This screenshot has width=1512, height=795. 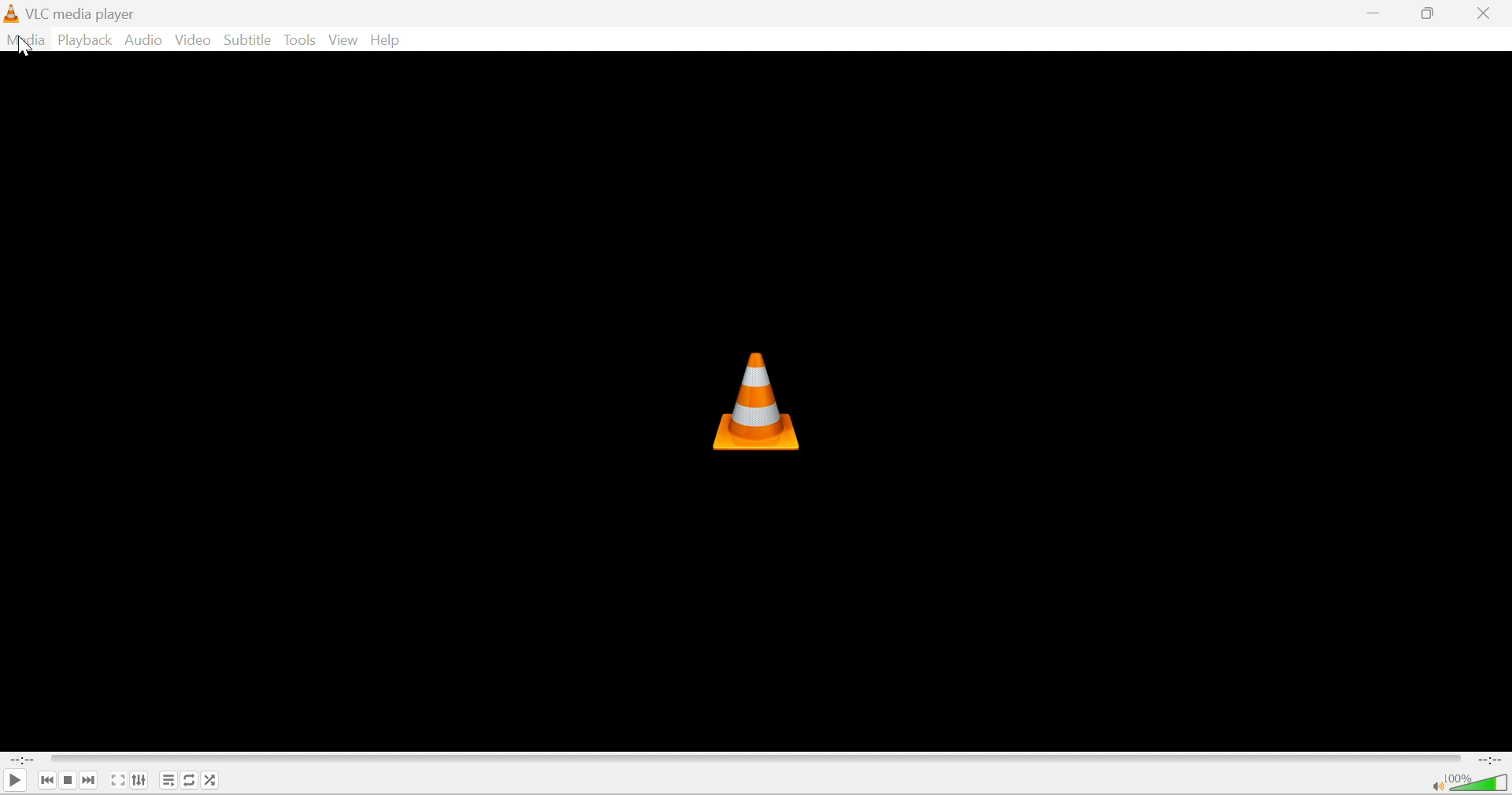 I want to click on Video, so click(x=194, y=42).